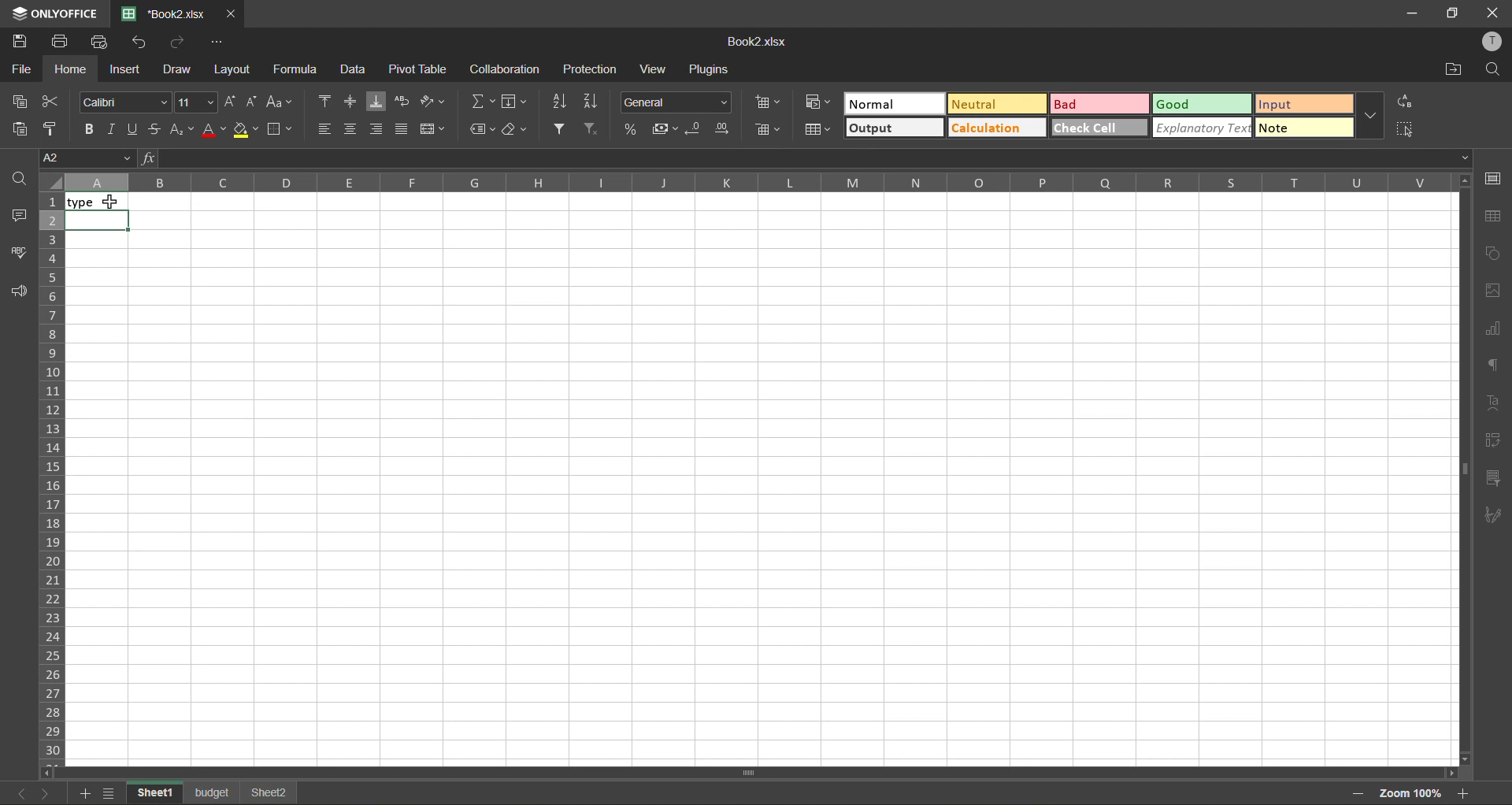  I want to click on pivot table, so click(419, 72).